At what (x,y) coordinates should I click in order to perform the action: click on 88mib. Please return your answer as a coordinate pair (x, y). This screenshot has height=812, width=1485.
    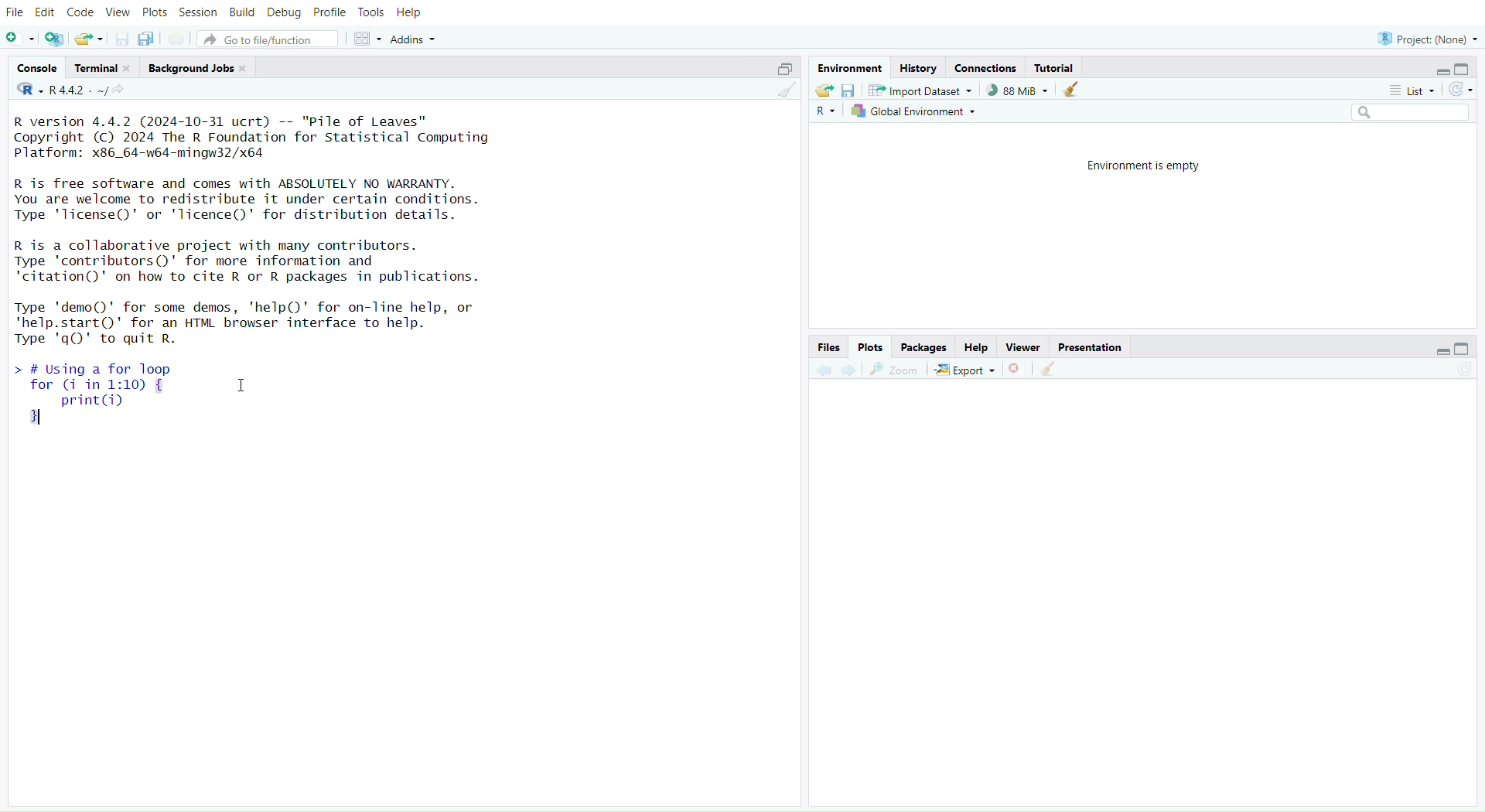
    Looking at the image, I should click on (1018, 91).